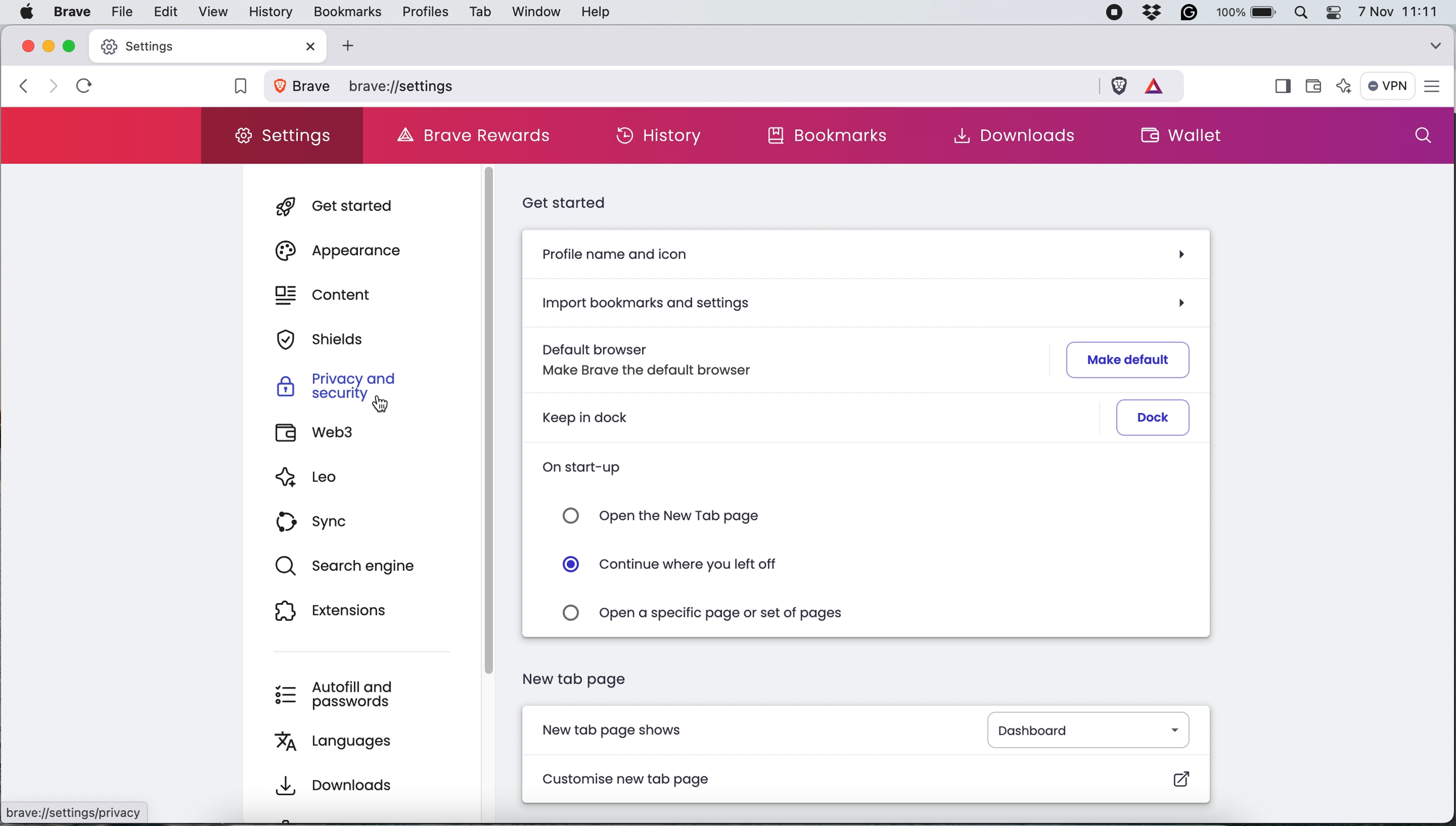 The width and height of the screenshot is (1456, 826). Describe the element at coordinates (832, 136) in the screenshot. I see `bookmarks` at that location.